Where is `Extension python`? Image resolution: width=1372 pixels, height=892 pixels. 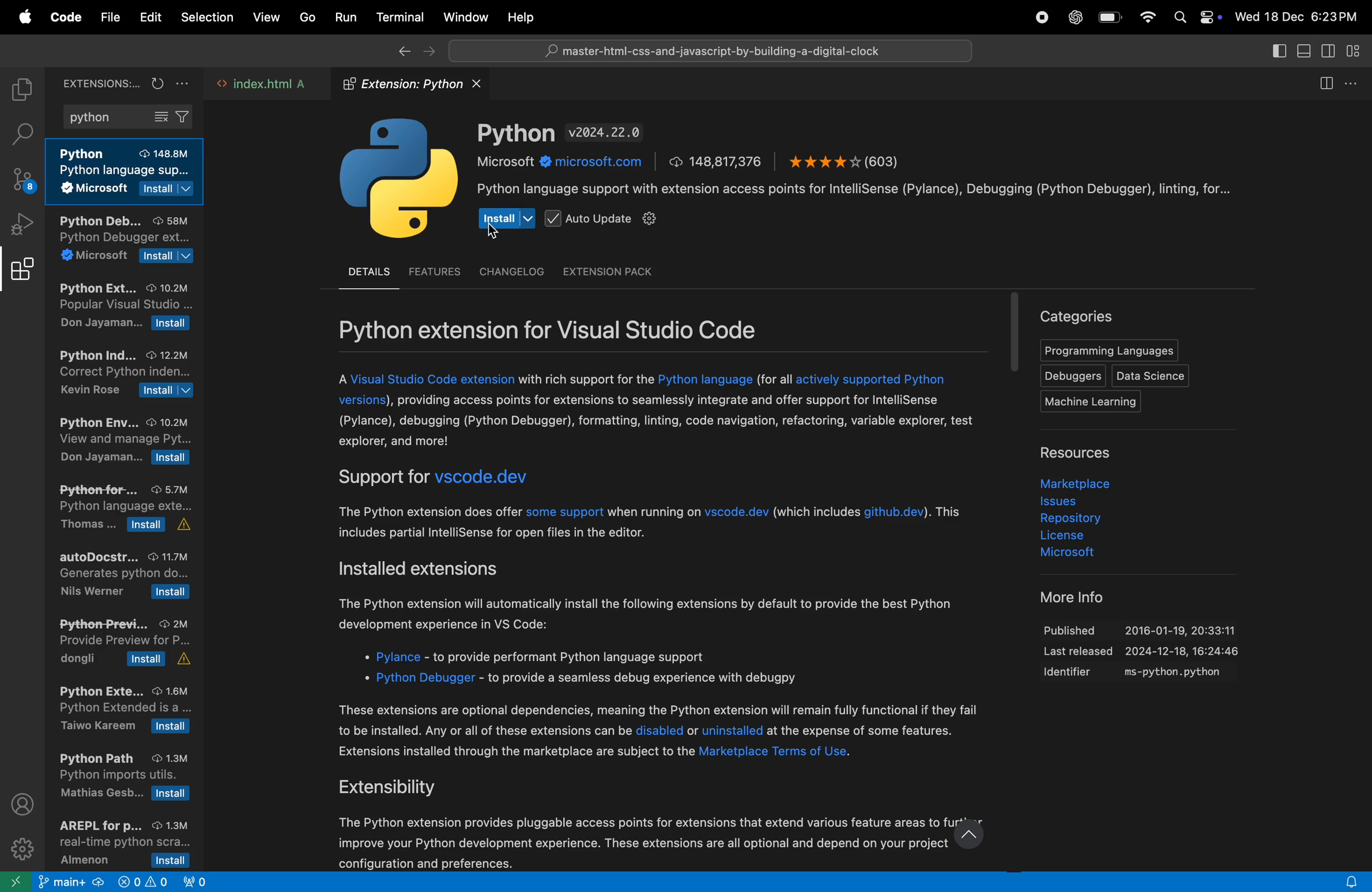 Extension python is located at coordinates (417, 84).